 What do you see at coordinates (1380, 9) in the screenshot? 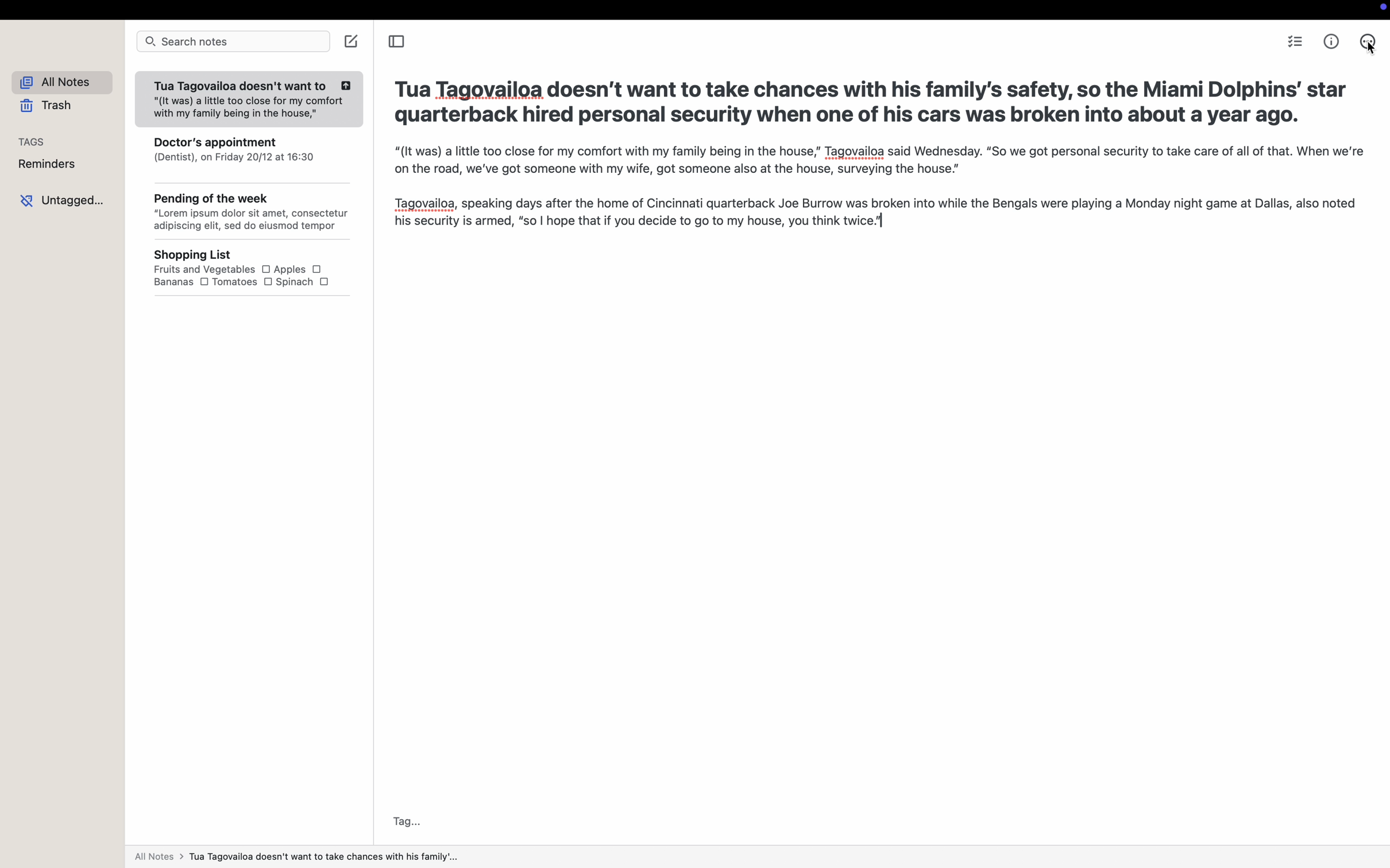
I see `screen controls` at bounding box center [1380, 9].